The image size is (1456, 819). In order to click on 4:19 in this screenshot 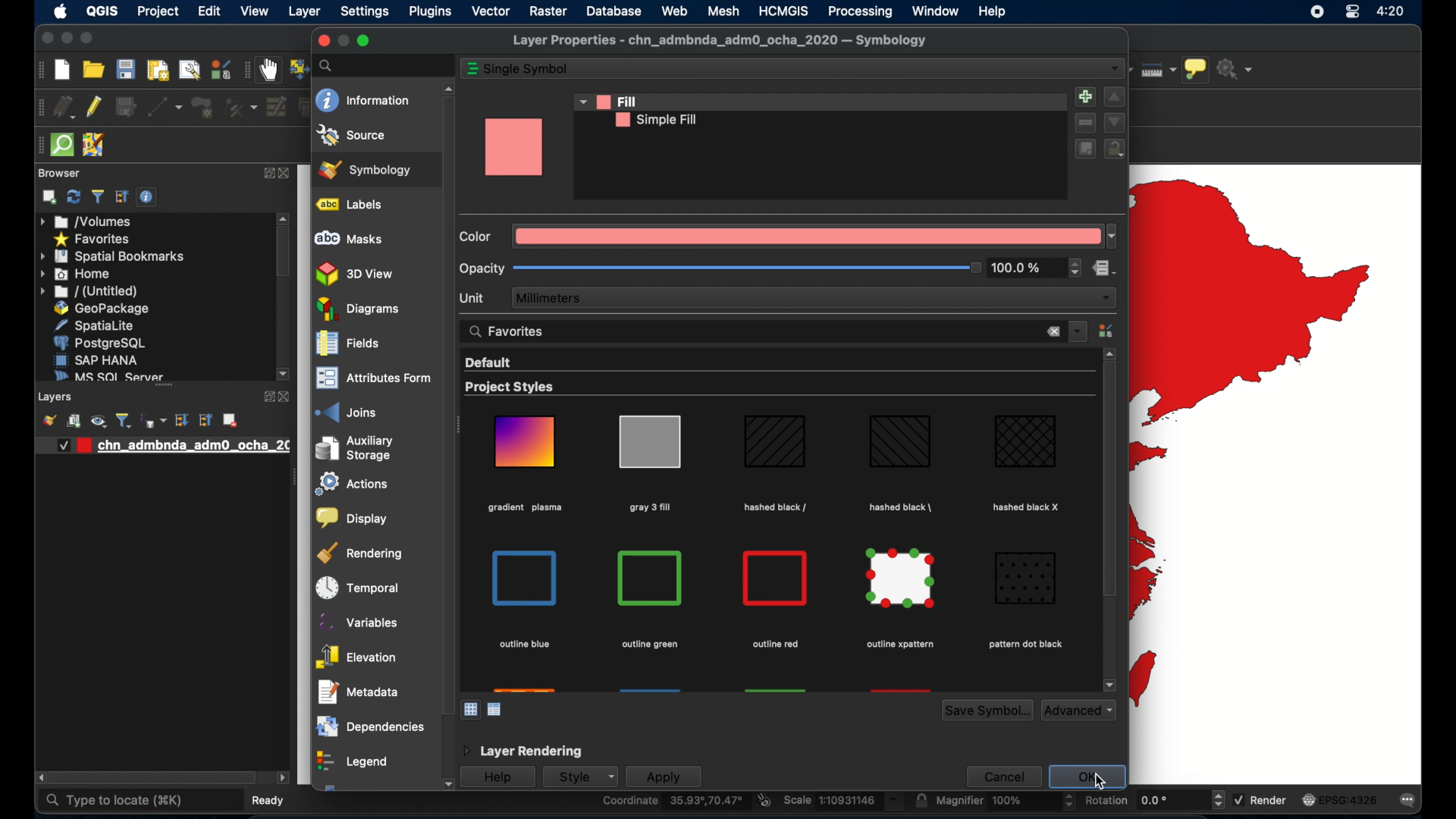, I will do `click(1392, 11)`.